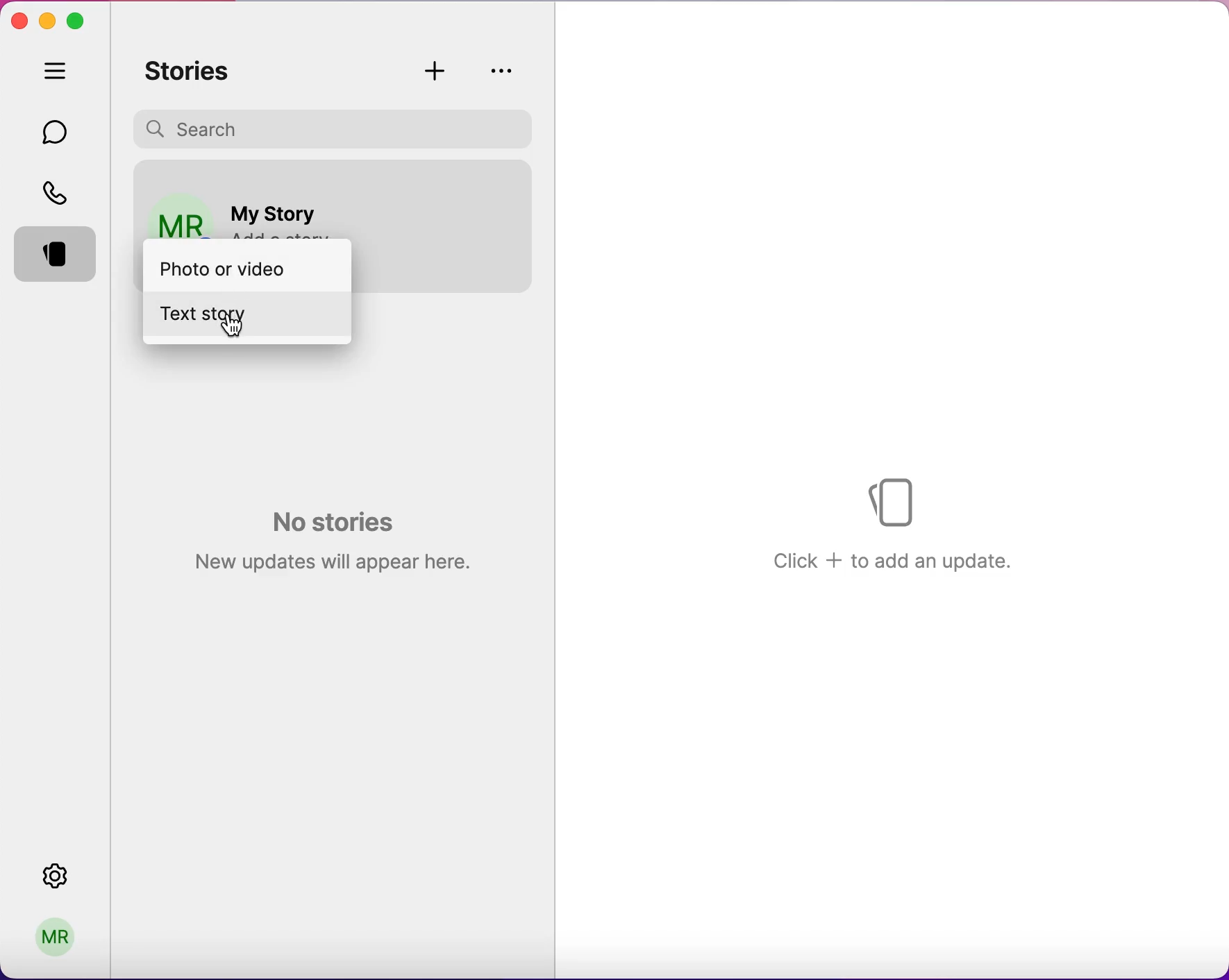 This screenshot has width=1229, height=980. Describe the element at coordinates (80, 20) in the screenshot. I see `maximize` at that location.